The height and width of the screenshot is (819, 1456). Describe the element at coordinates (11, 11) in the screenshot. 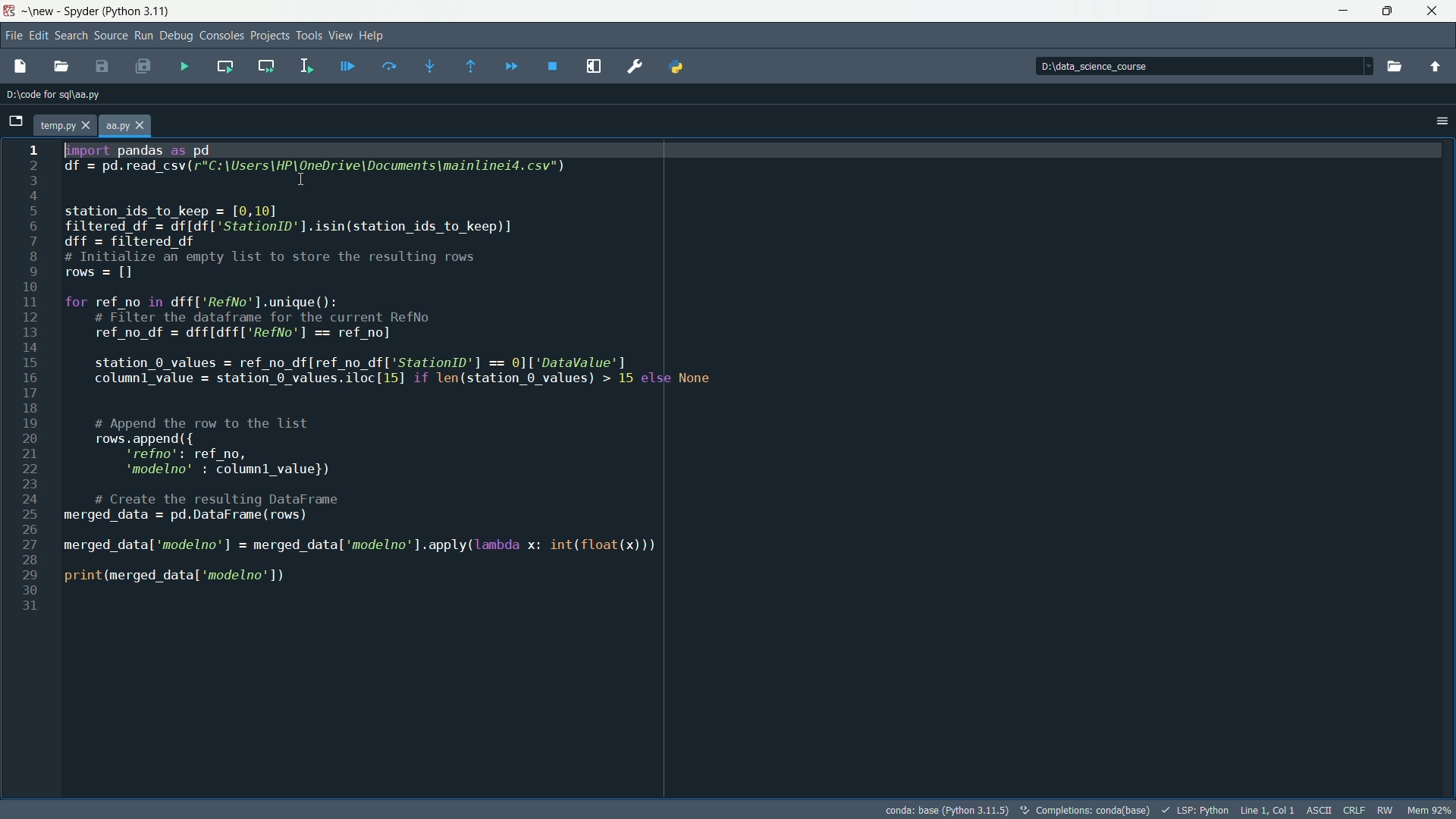

I see `app icon` at that location.